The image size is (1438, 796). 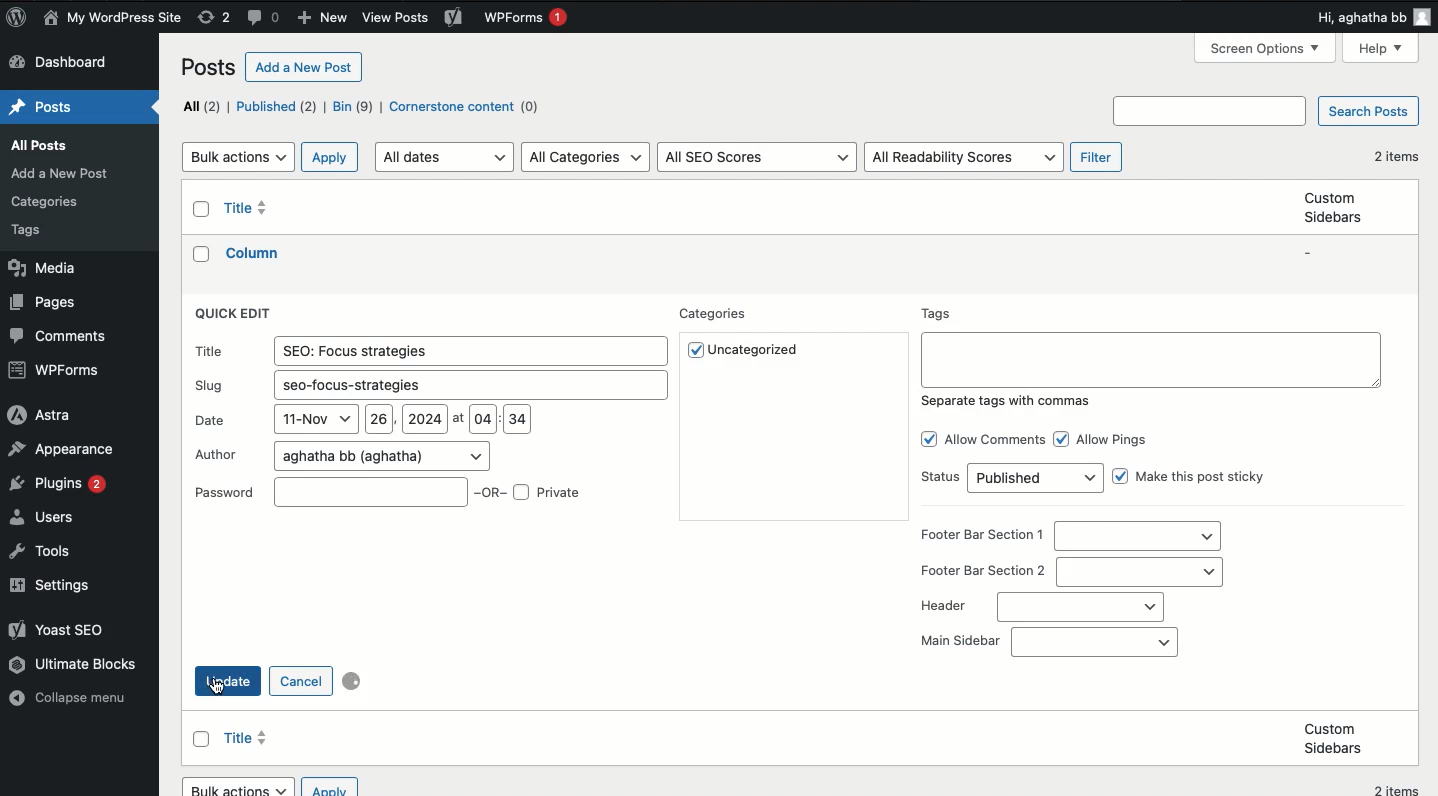 What do you see at coordinates (211, 70) in the screenshot?
I see `Posts` at bounding box center [211, 70].